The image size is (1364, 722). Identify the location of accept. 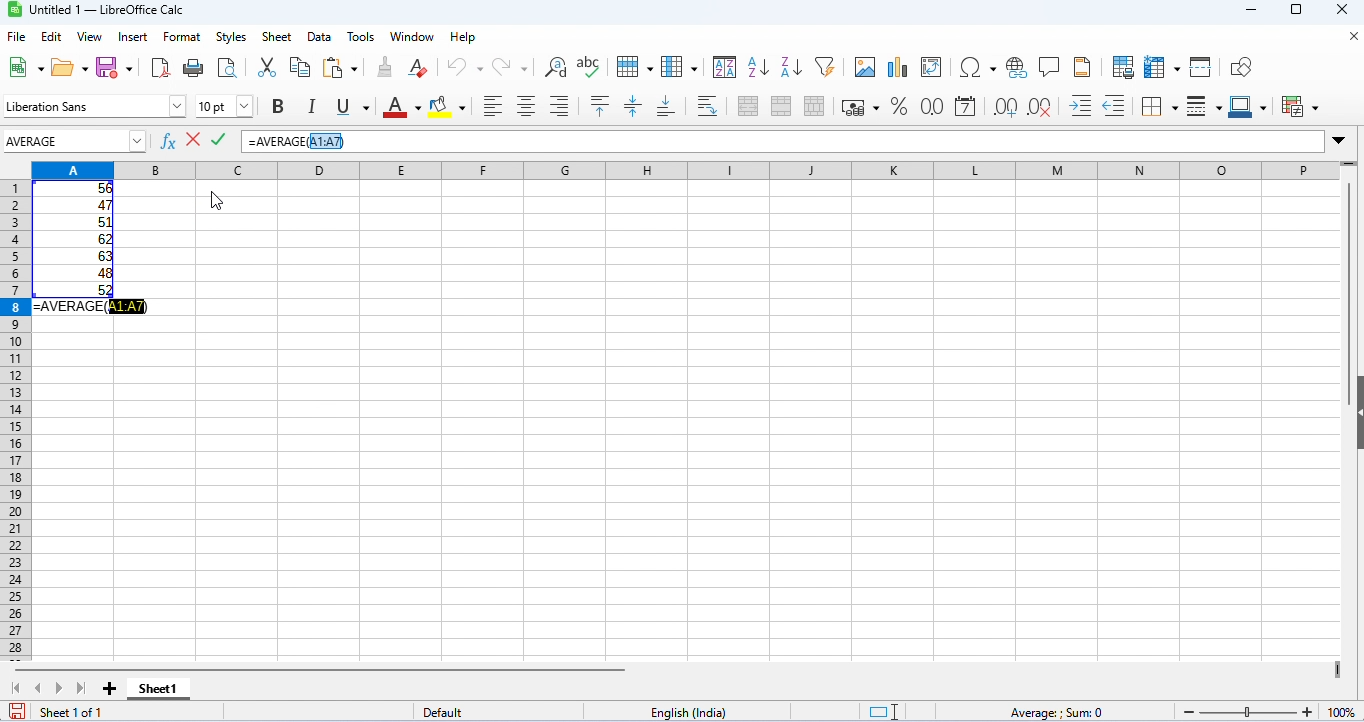
(219, 139).